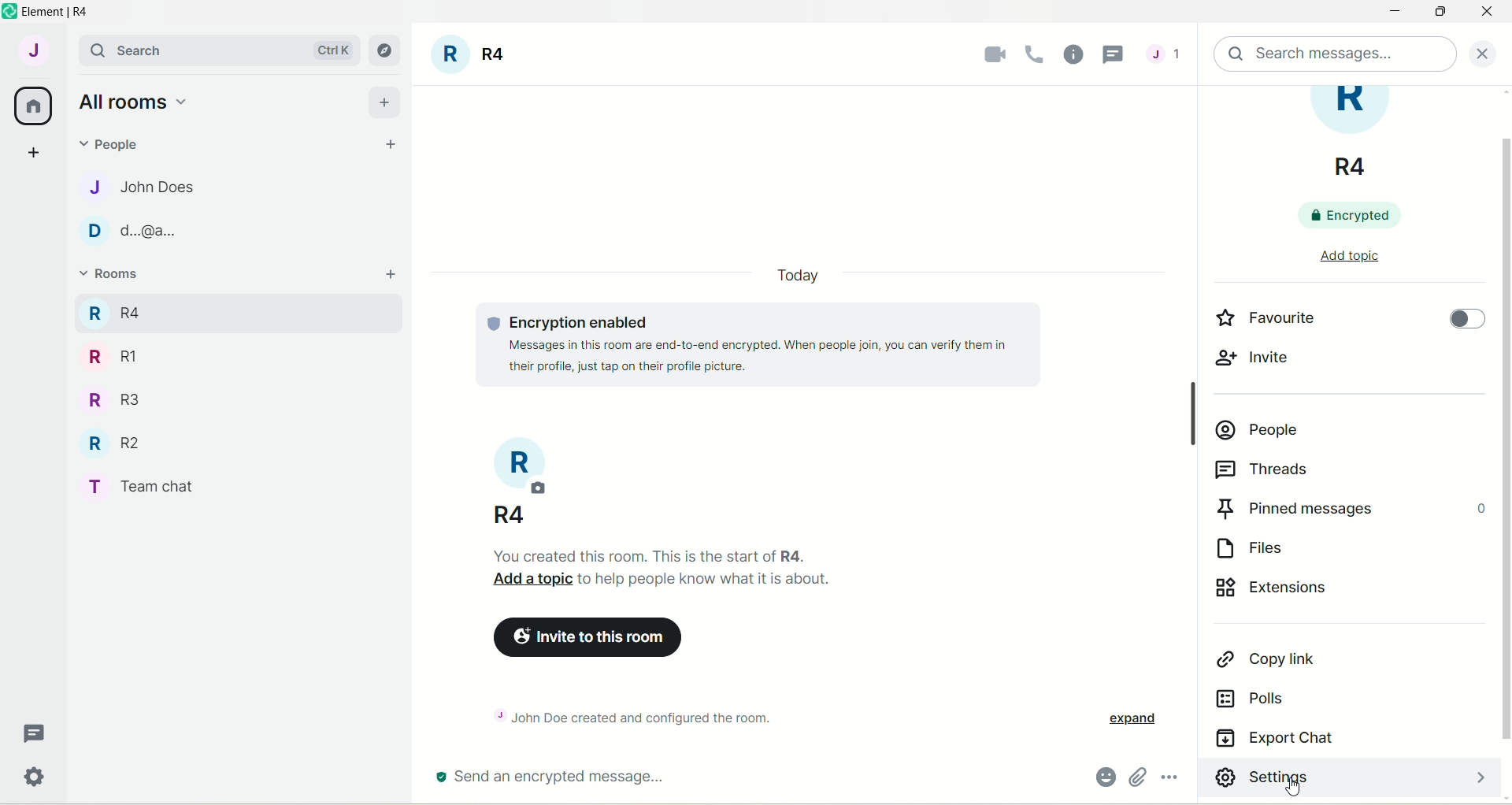 This screenshot has width=1512, height=805. What do you see at coordinates (1131, 720) in the screenshot?
I see `expand` at bounding box center [1131, 720].